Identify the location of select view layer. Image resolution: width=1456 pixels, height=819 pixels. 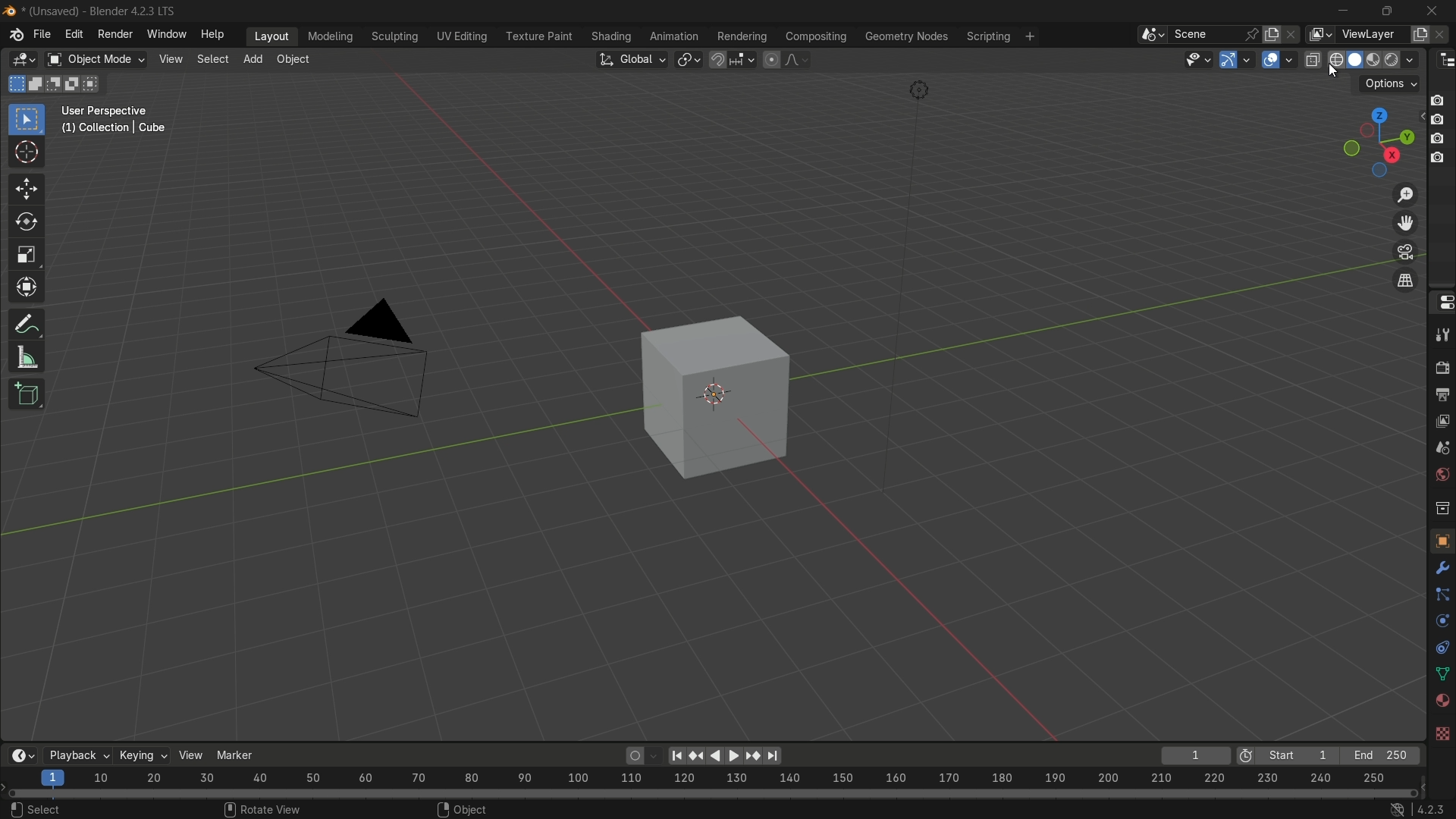
(1357, 34).